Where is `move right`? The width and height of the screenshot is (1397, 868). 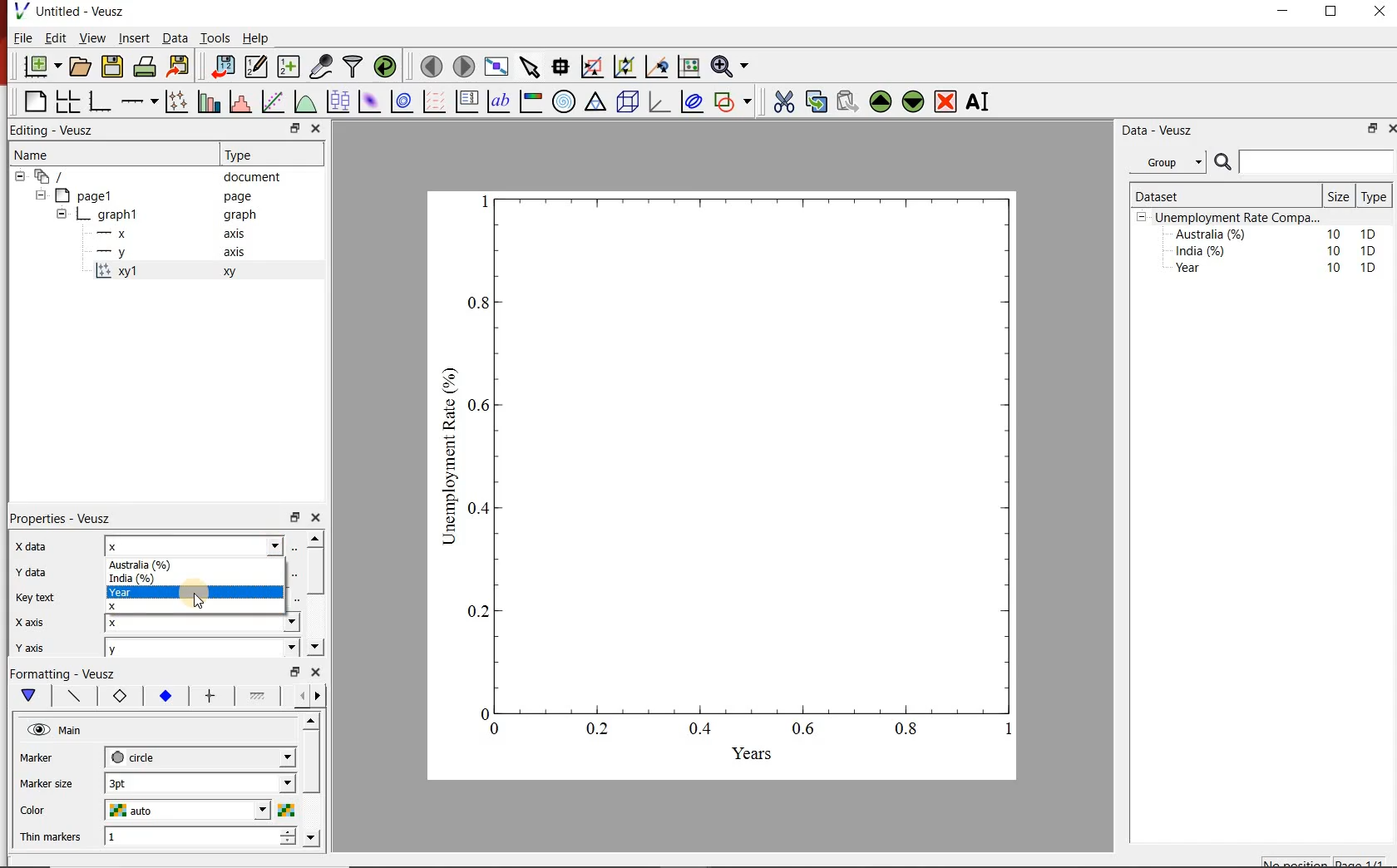 move right is located at coordinates (317, 696).